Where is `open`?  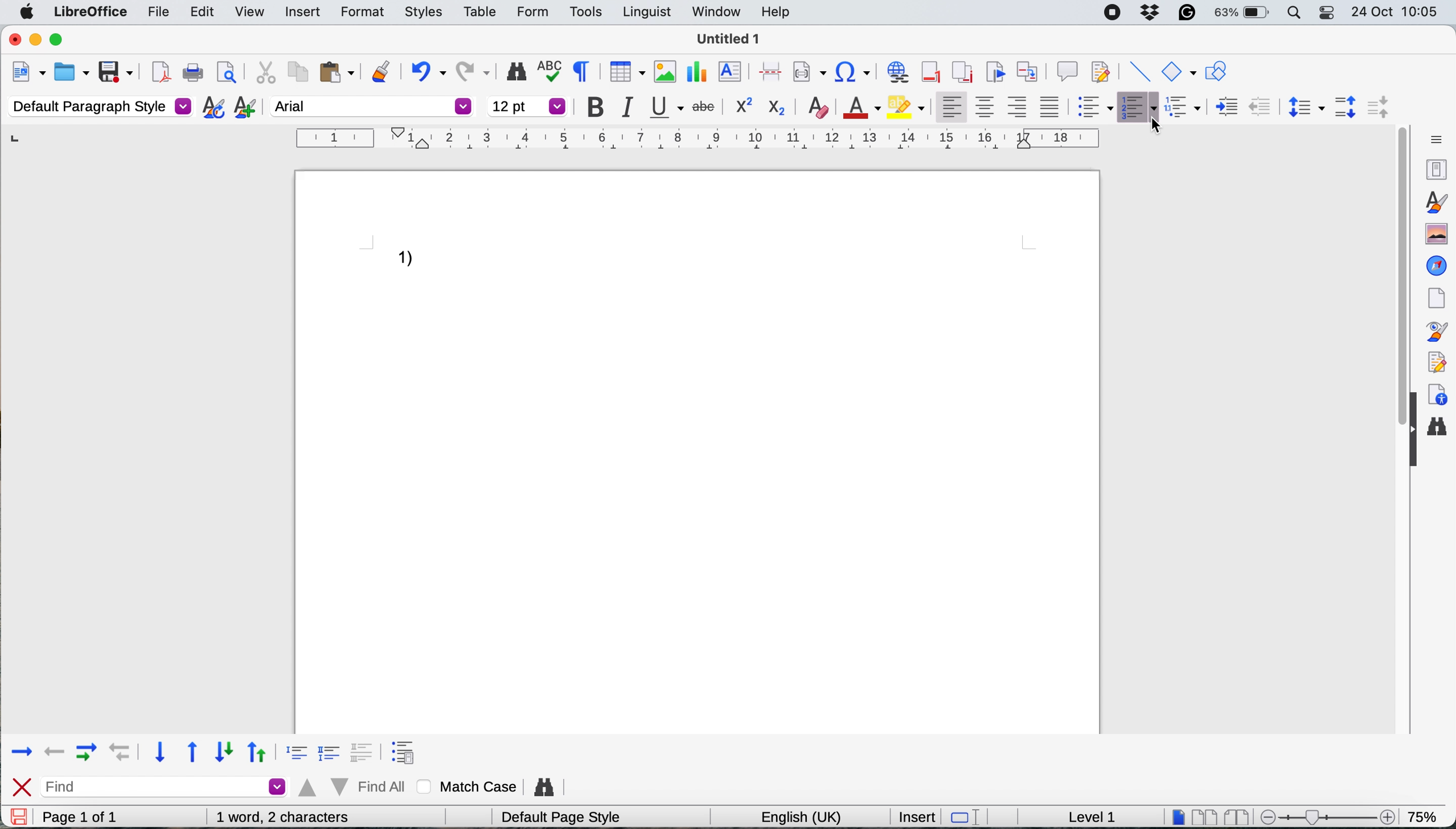
open is located at coordinates (72, 73).